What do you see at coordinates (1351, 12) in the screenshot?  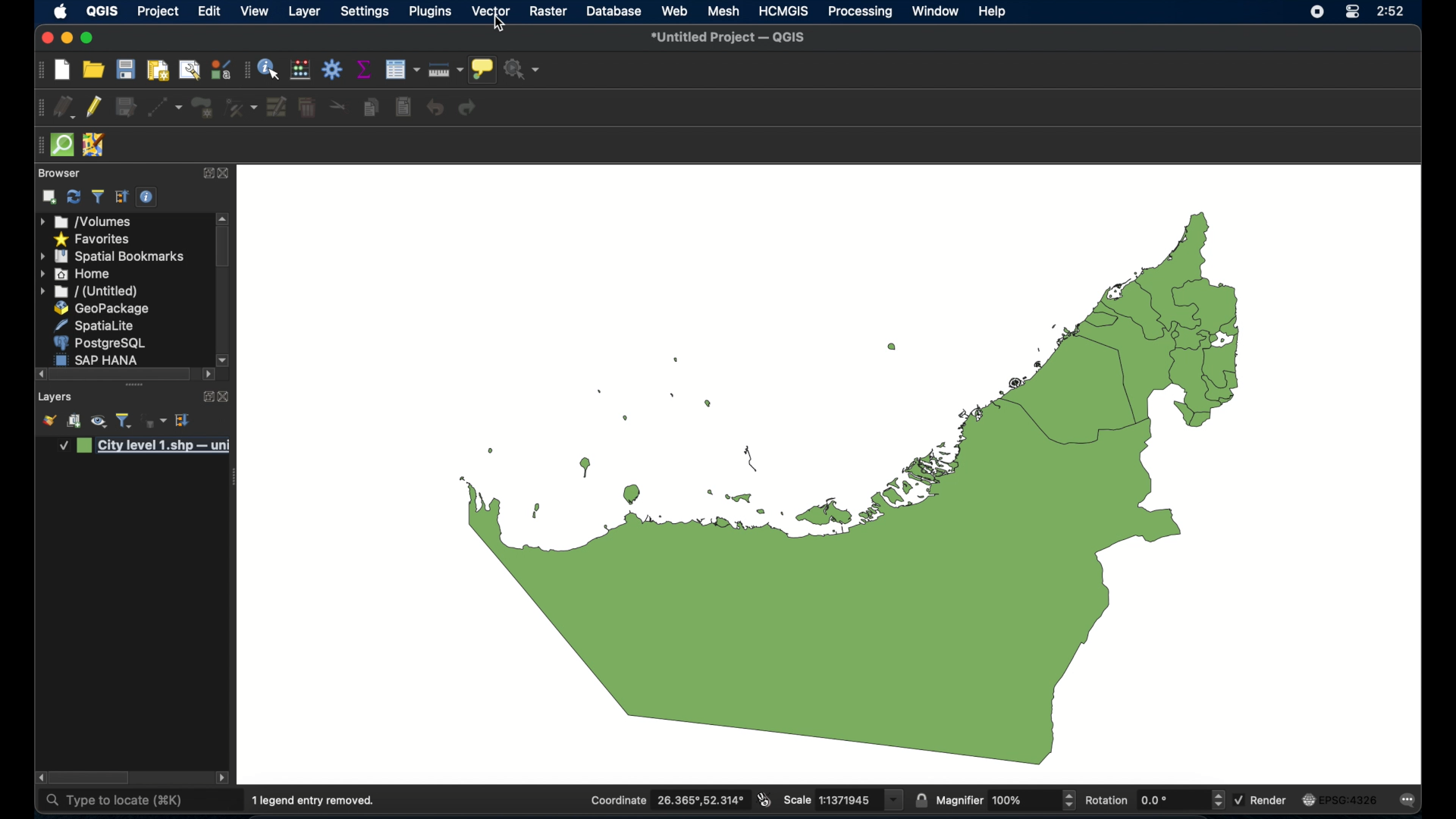 I see `control center` at bounding box center [1351, 12].